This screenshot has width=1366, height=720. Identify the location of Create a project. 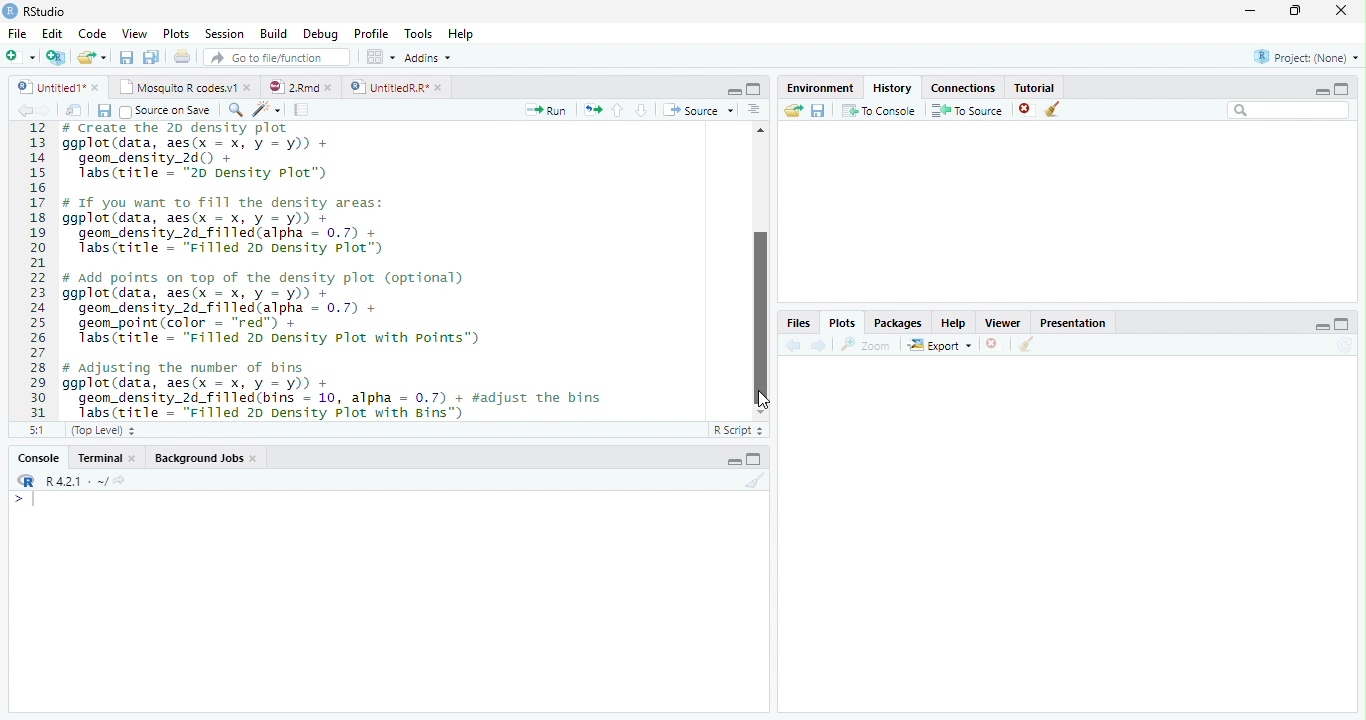
(55, 57).